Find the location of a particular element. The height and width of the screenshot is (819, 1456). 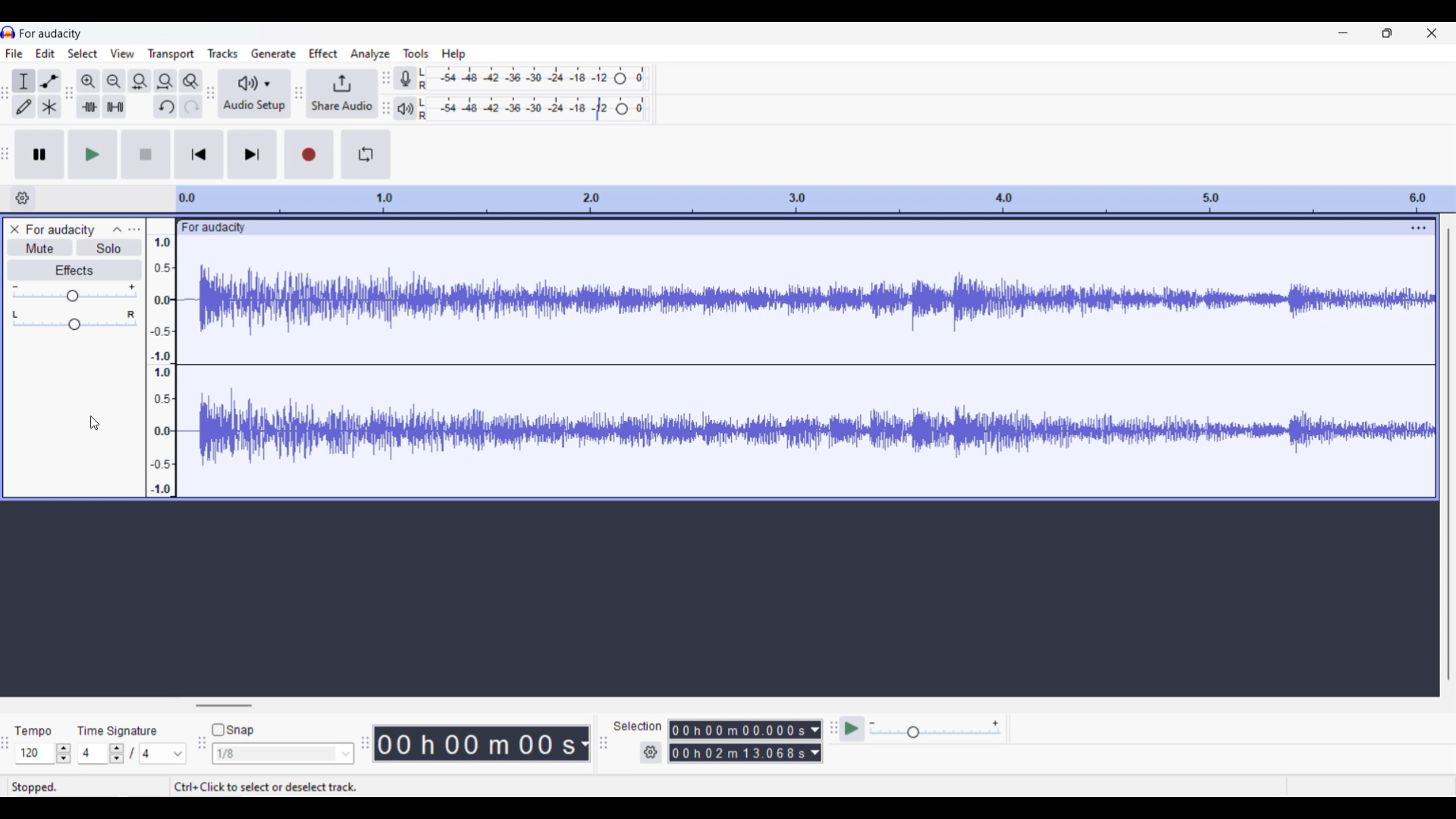

Audio setup is located at coordinates (253, 93).